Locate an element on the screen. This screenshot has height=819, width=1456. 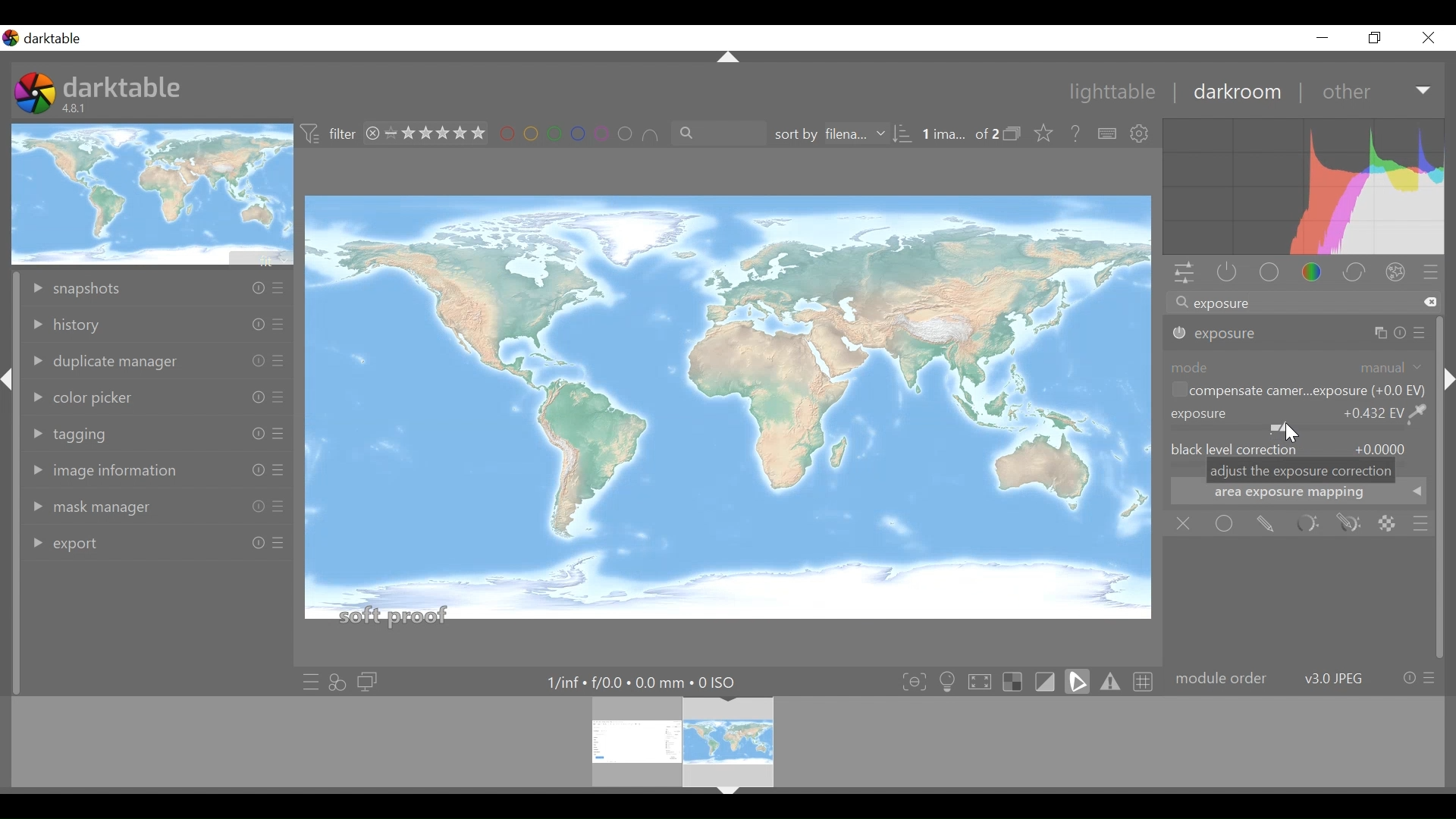
toggle guide lines is located at coordinates (1145, 680).